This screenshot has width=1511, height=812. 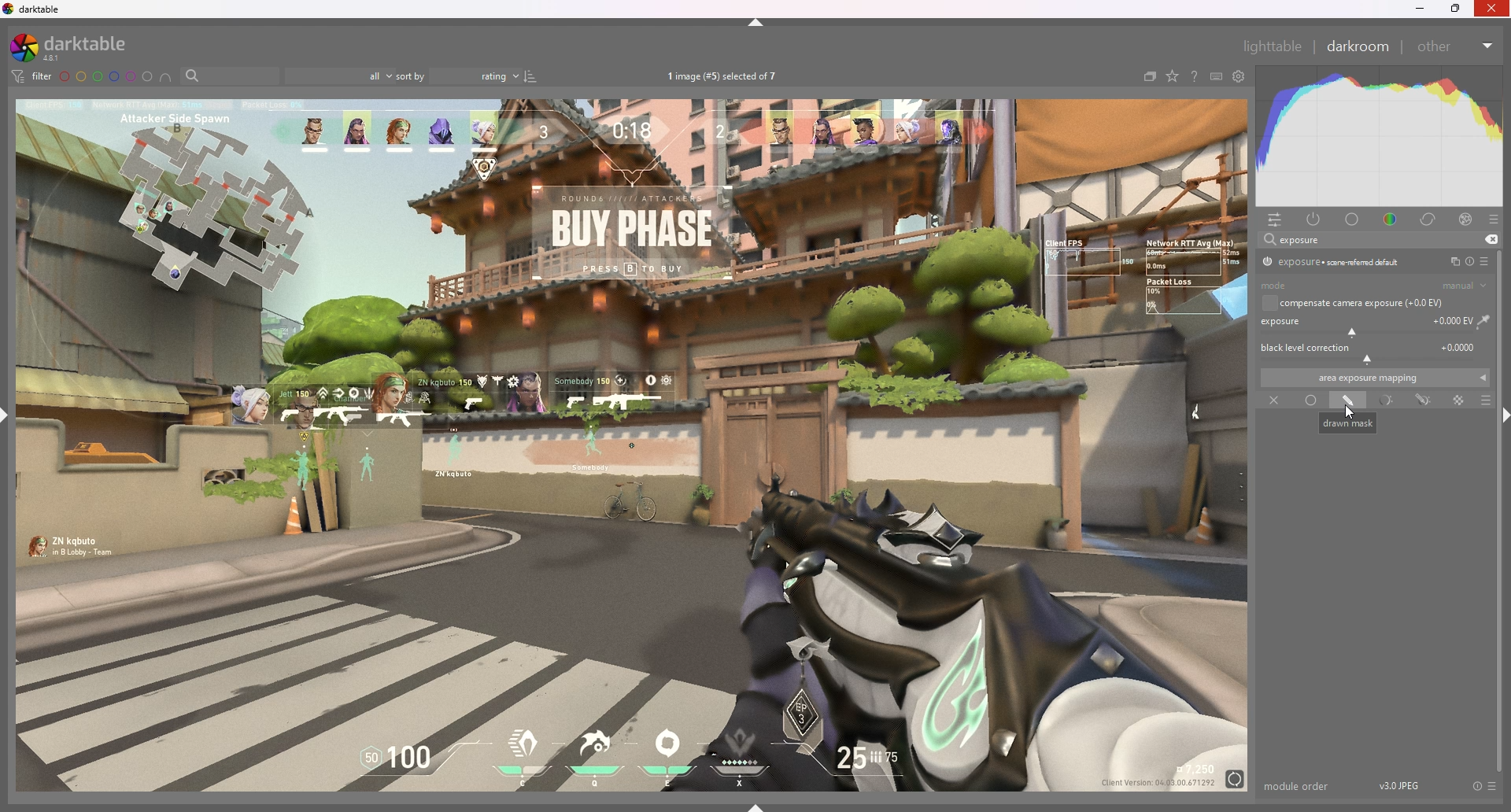 What do you see at coordinates (1347, 401) in the screenshot?
I see `drawn mask` at bounding box center [1347, 401].